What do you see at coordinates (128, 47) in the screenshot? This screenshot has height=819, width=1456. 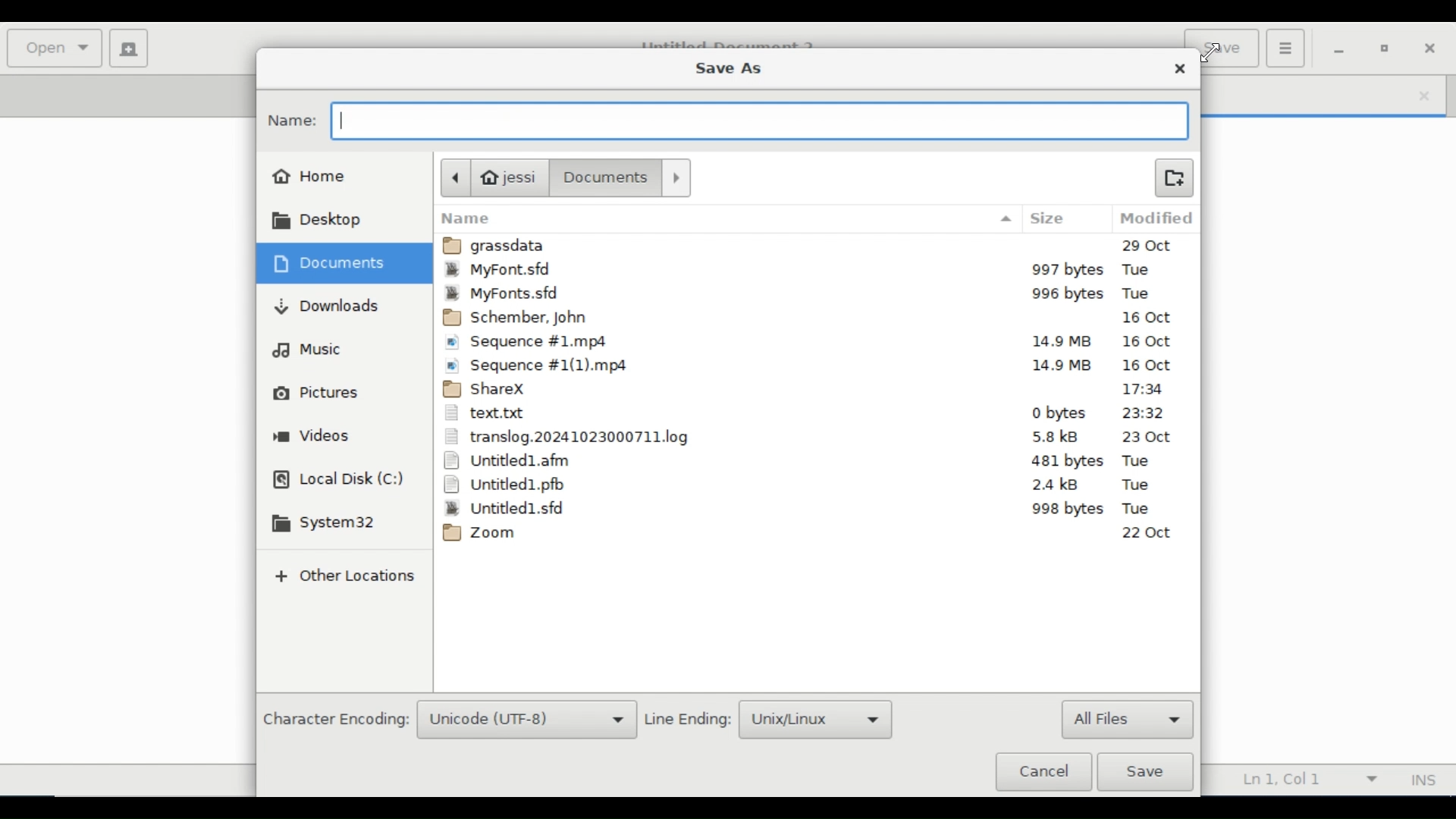 I see `Create new document` at bounding box center [128, 47].